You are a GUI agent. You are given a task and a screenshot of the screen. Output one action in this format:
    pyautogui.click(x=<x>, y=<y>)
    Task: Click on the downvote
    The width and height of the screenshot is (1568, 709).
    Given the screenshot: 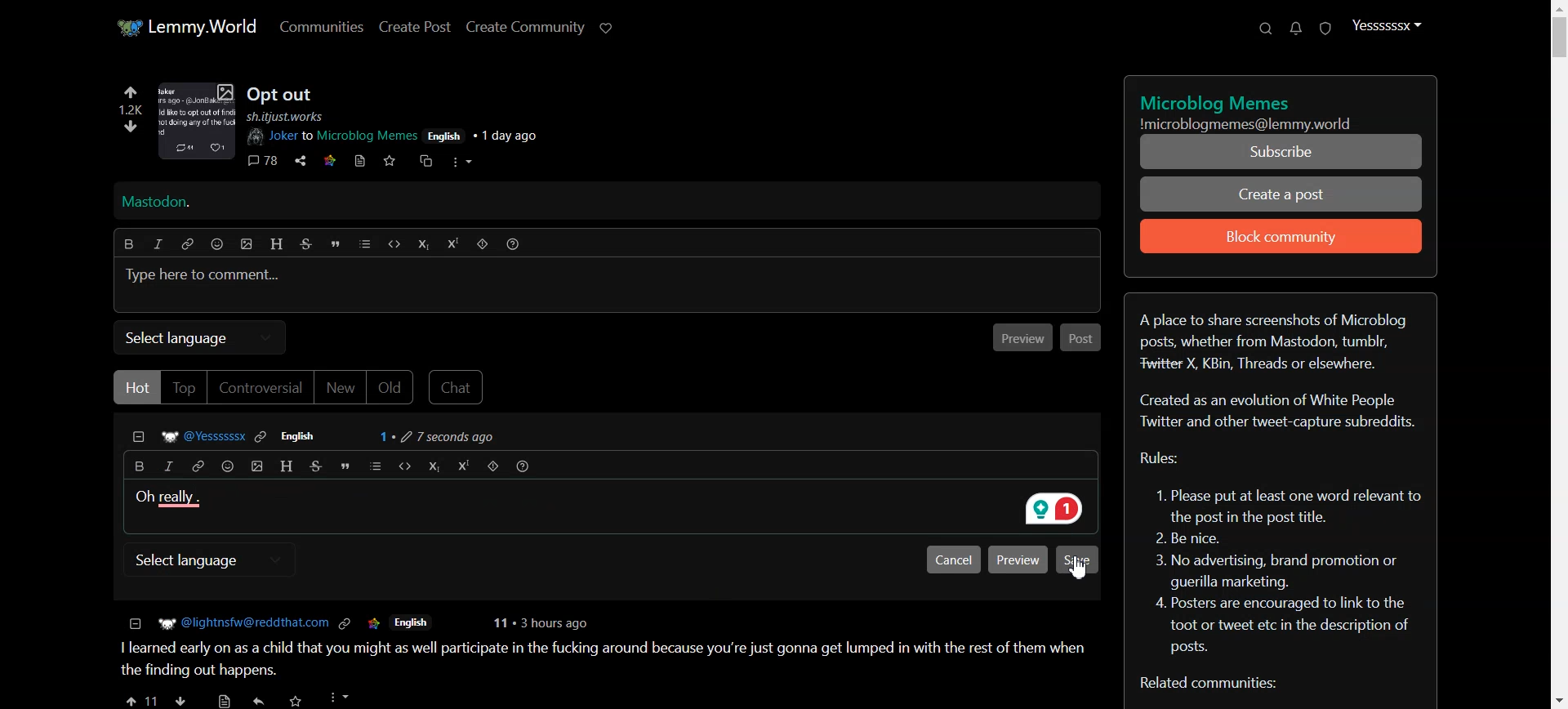 What is the action you would take?
    pyautogui.click(x=132, y=125)
    